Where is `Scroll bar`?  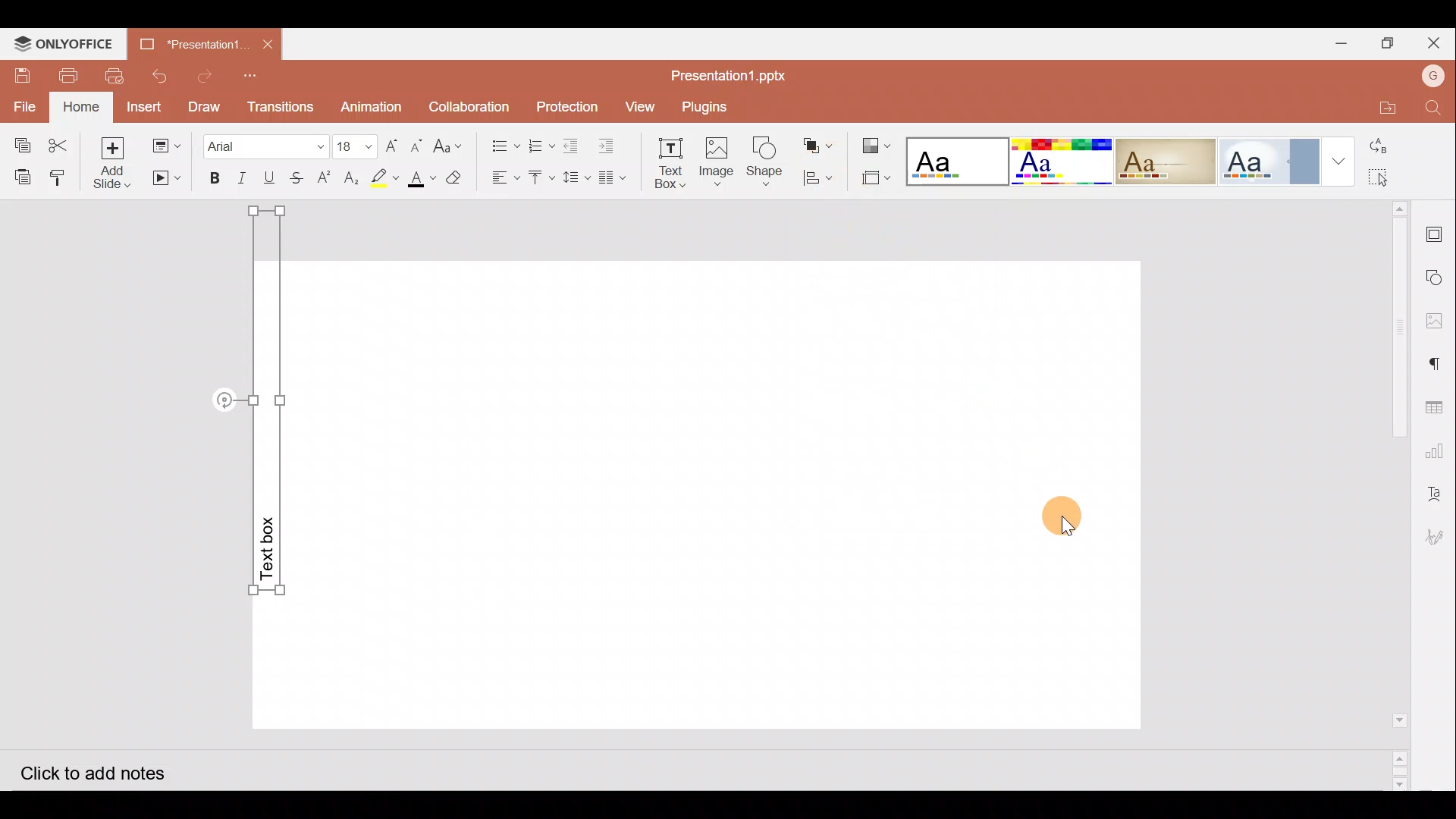 Scroll bar is located at coordinates (1394, 495).